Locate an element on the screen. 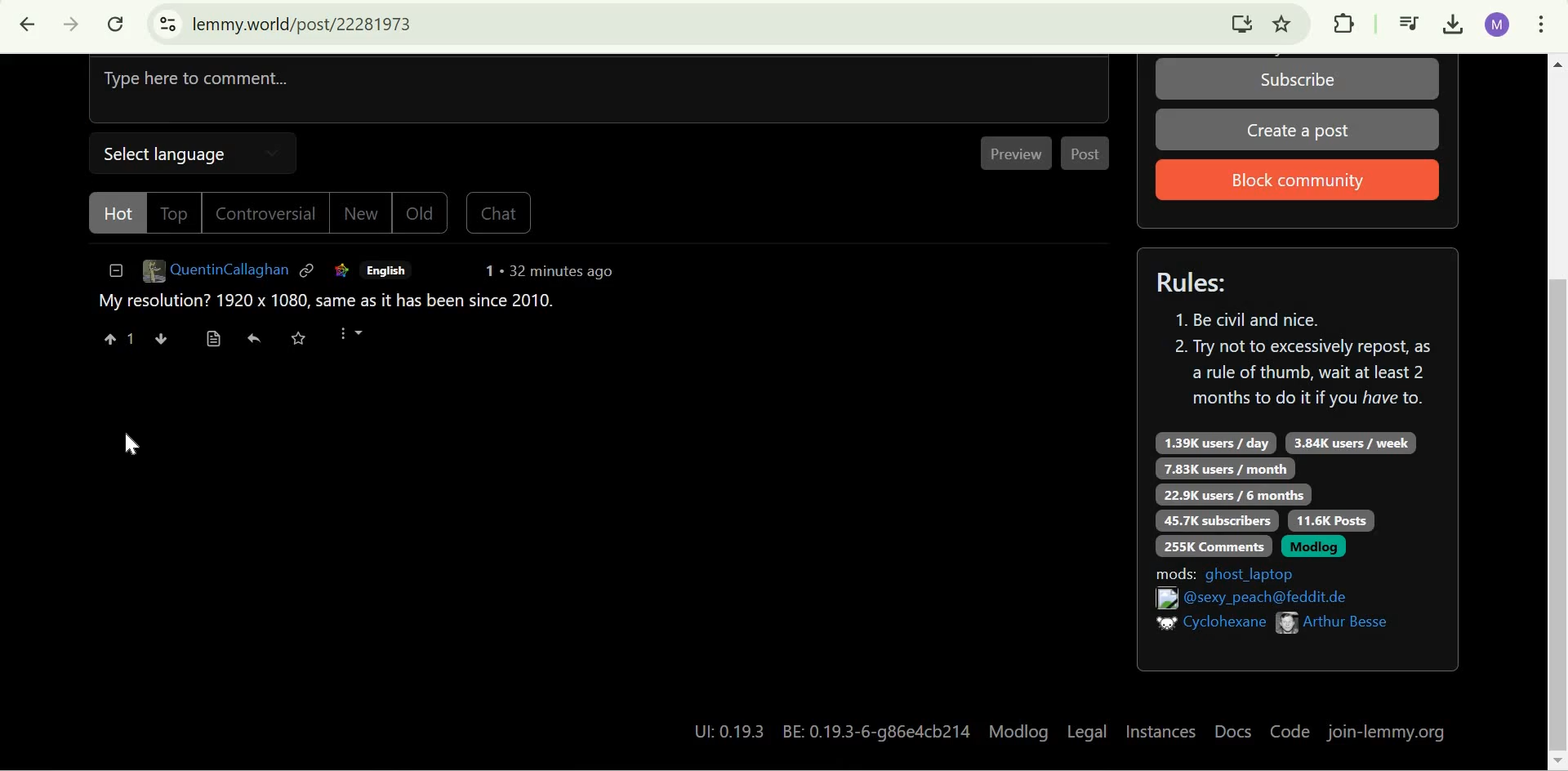 This screenshot has width=1568, height=771. My resolution? 1920 x 1080, same as it has been since 2010. is located at coordinates (321, 302).